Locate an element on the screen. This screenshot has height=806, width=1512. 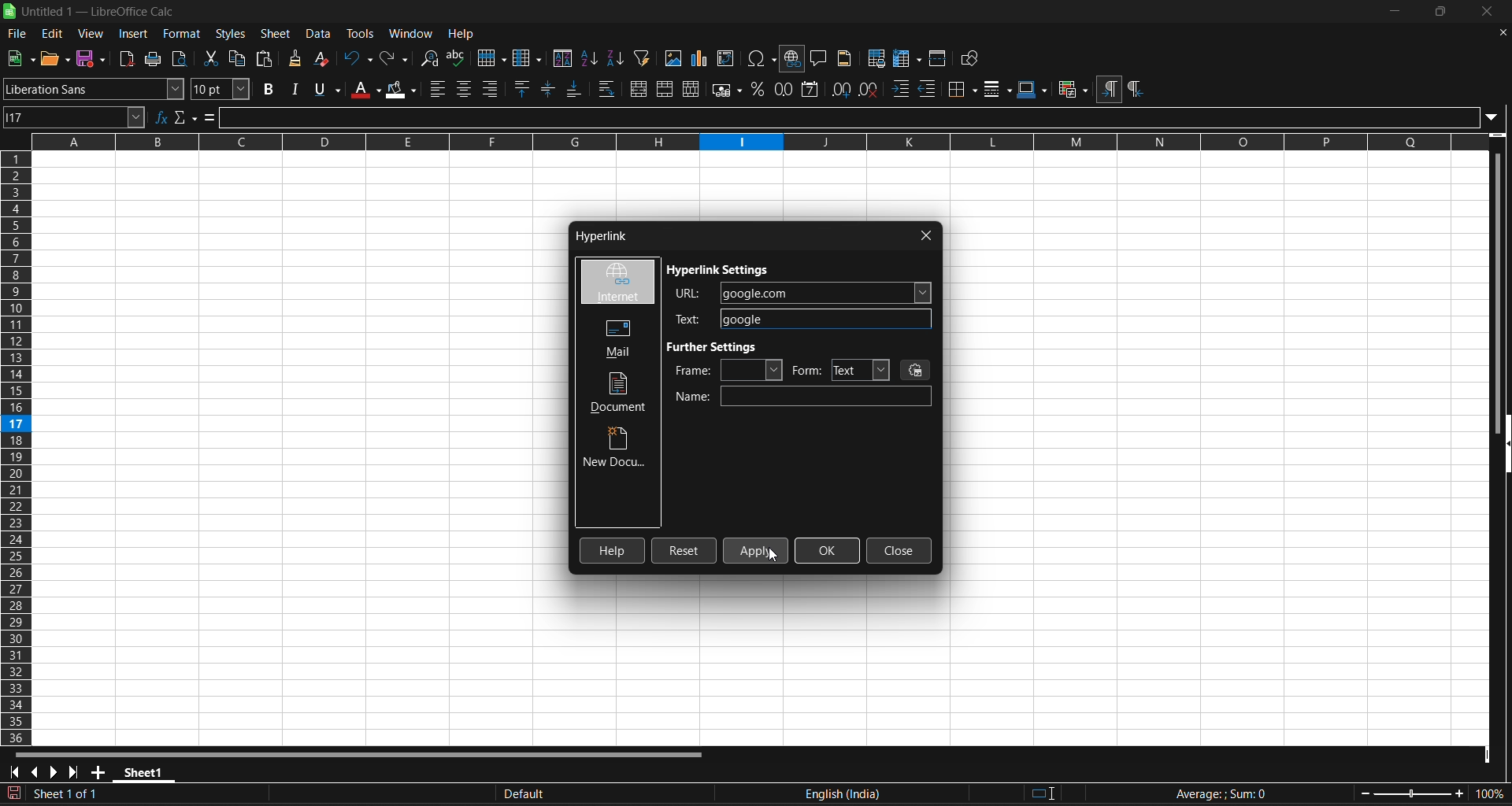
save is located at coordinates (92, 59).